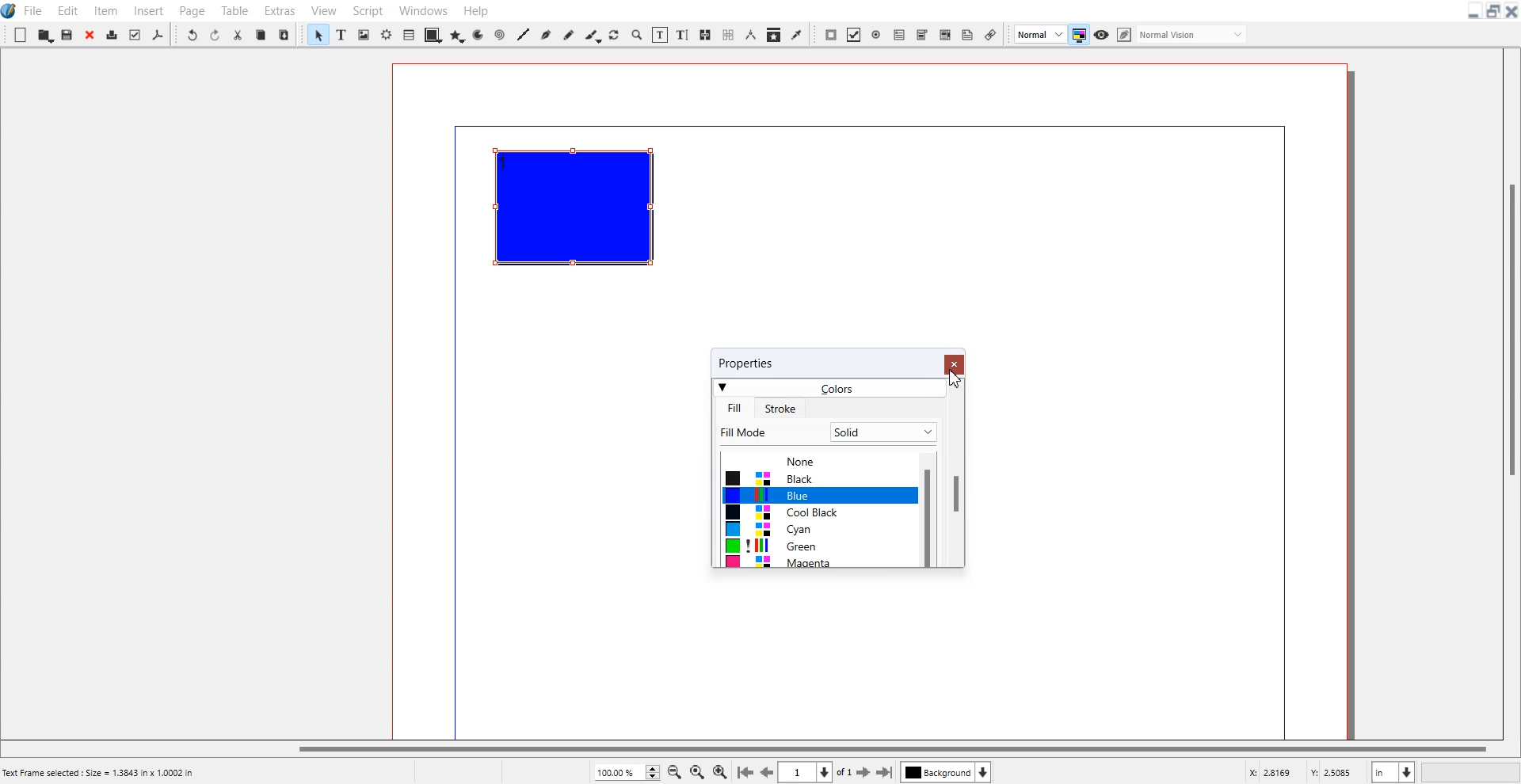 This screenshot has height=784, width=1521. What do you see at coordinates (855, 35) in the screenshot?
I see `PDF Check Box` at bounding box center [855, 35].